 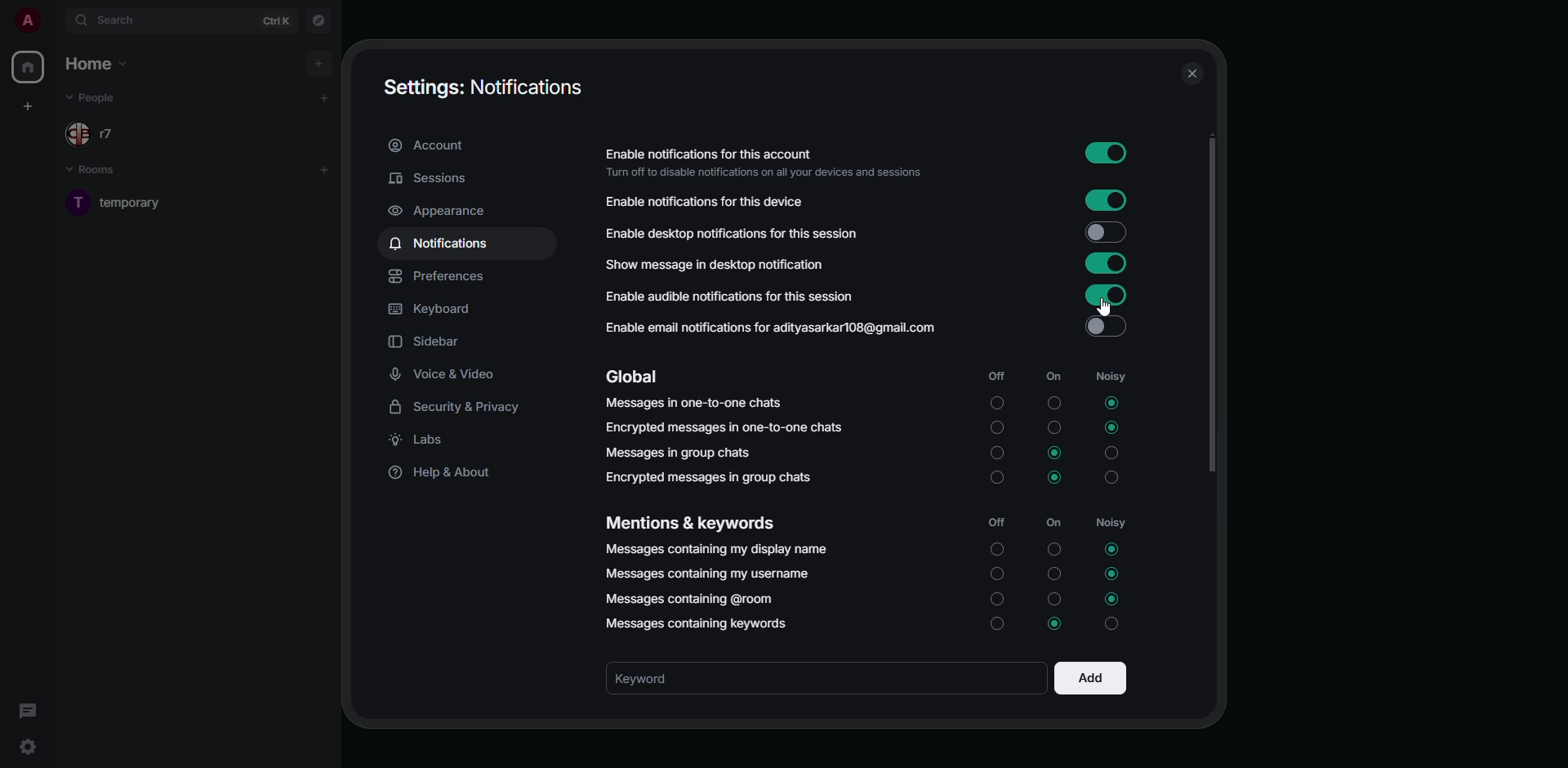 What do you see at coordinates (449, 473) in the screenshot?
I see `help & about` at bounding box center [449, 473].